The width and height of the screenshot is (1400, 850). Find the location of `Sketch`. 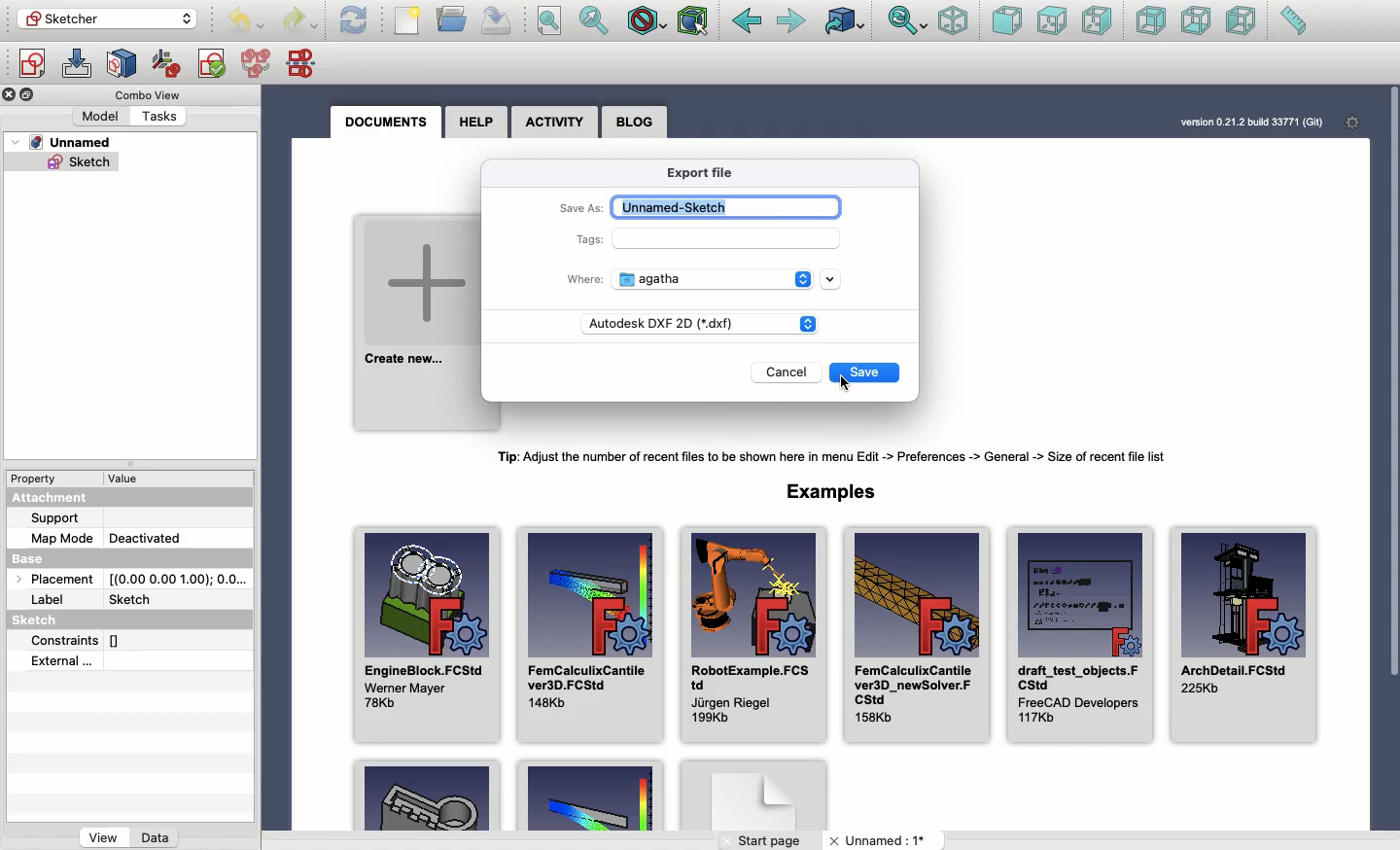

Sketch is located at coordinates (58, 620).